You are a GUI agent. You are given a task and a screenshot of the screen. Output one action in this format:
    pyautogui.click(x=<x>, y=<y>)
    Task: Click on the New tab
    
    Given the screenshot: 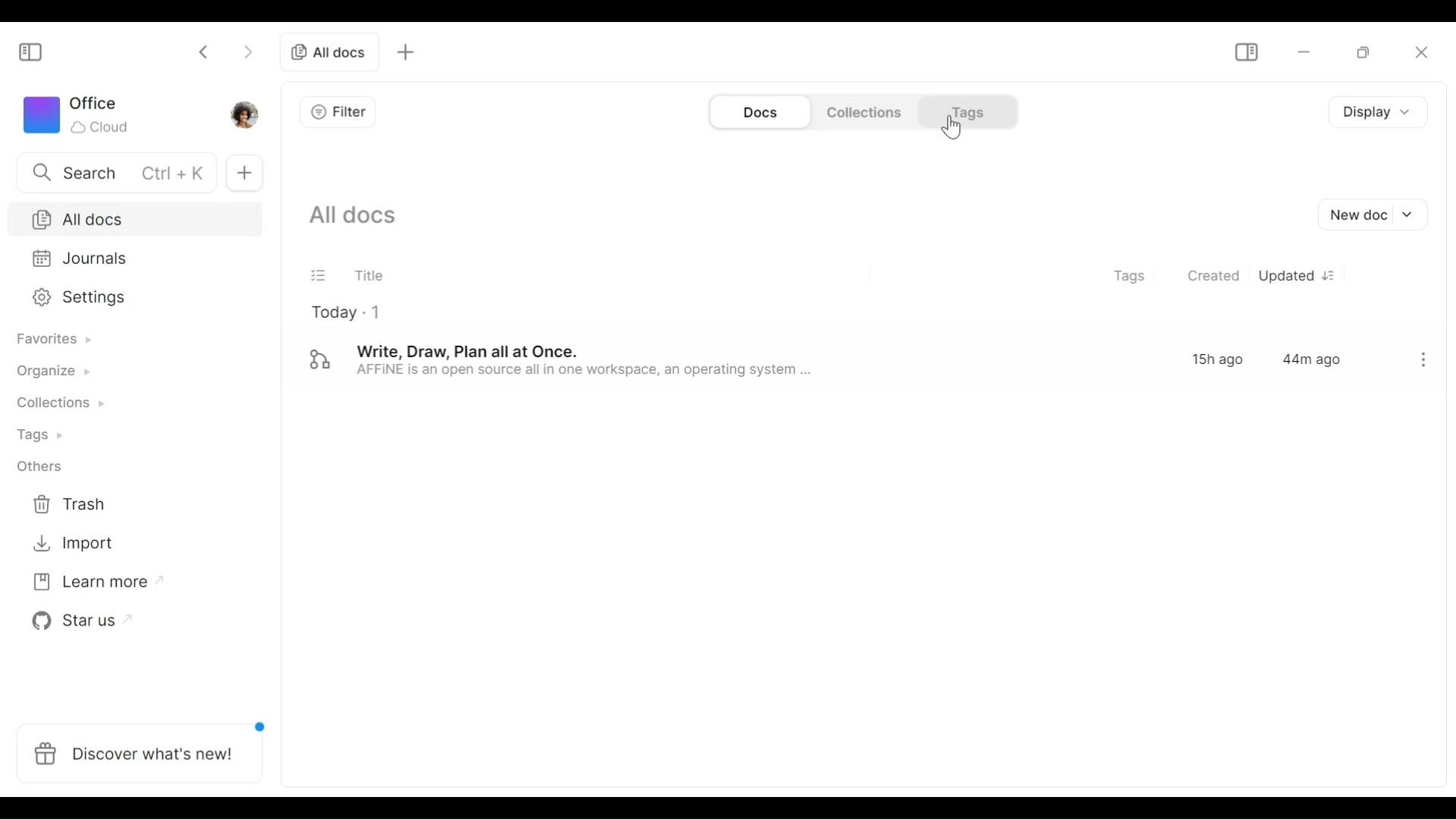 What is the action you would take?
    pyautogui.click(x=409, y=52)
    